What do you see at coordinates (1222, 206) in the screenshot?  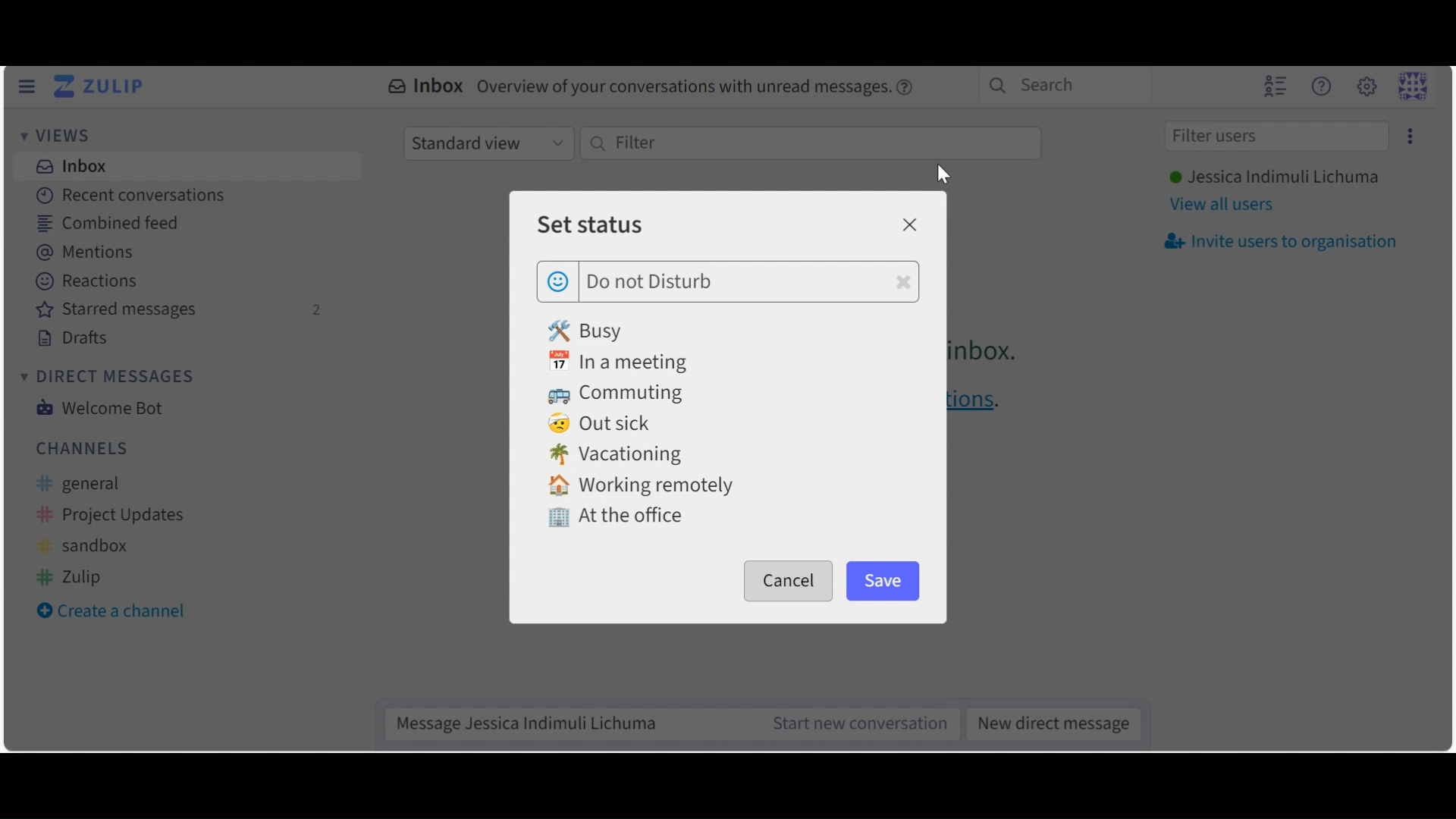 I see `View all users` at bounding box center [1222, 206].